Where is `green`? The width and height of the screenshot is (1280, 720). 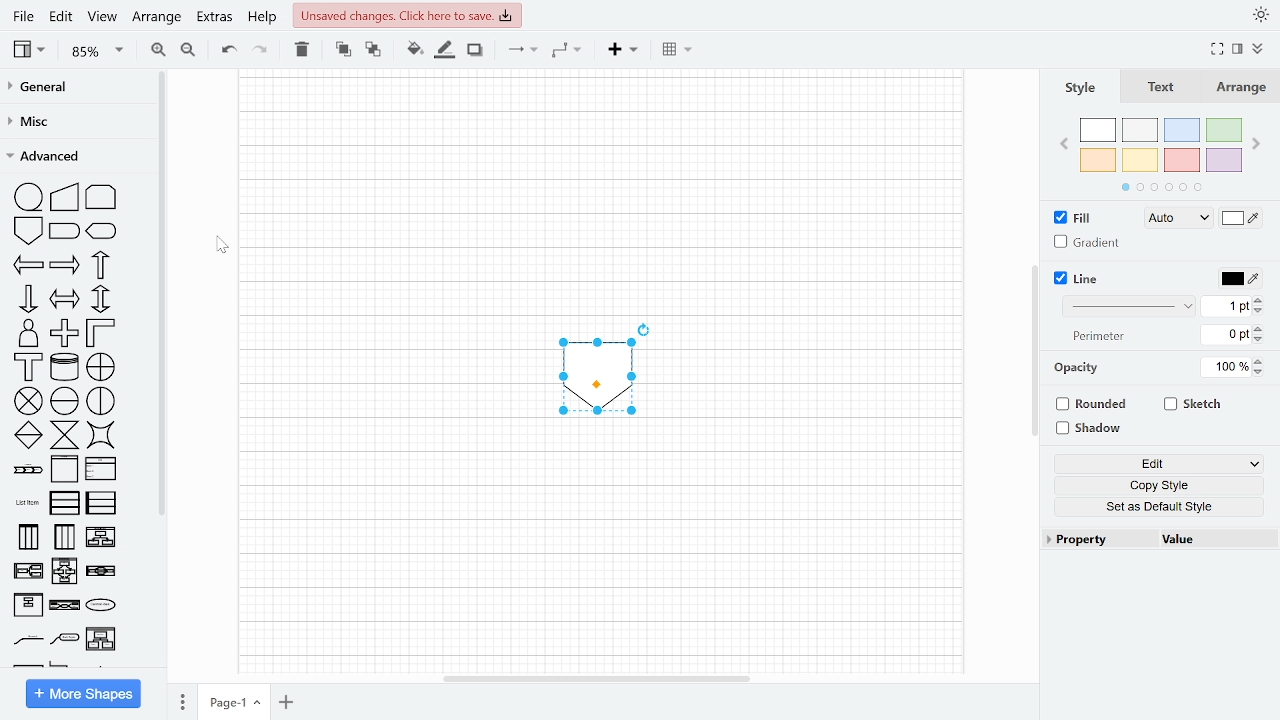
green is located at coordinates (1225, 129).